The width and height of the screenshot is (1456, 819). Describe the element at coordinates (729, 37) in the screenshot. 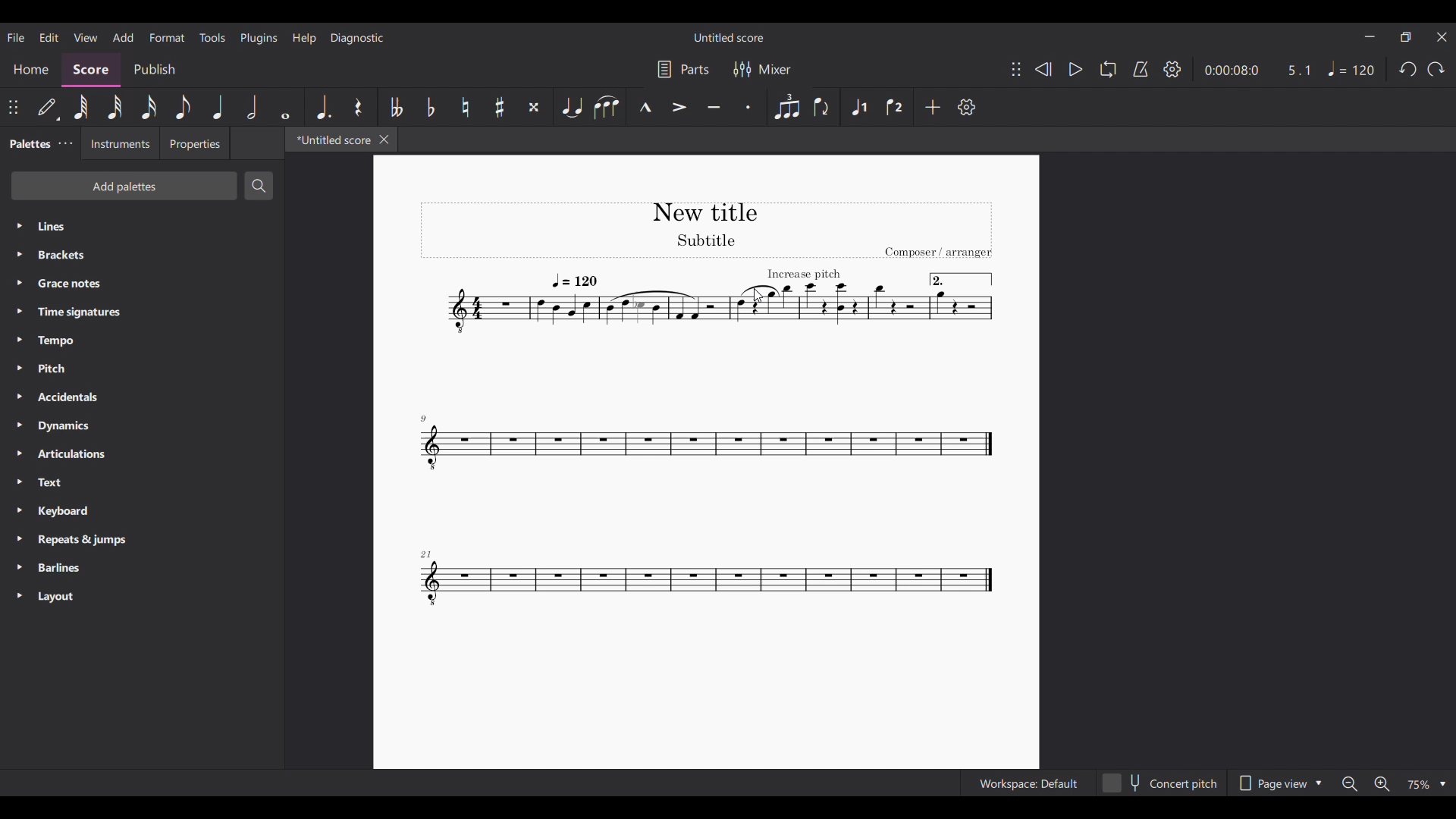

I see `Untitled score` at that location.